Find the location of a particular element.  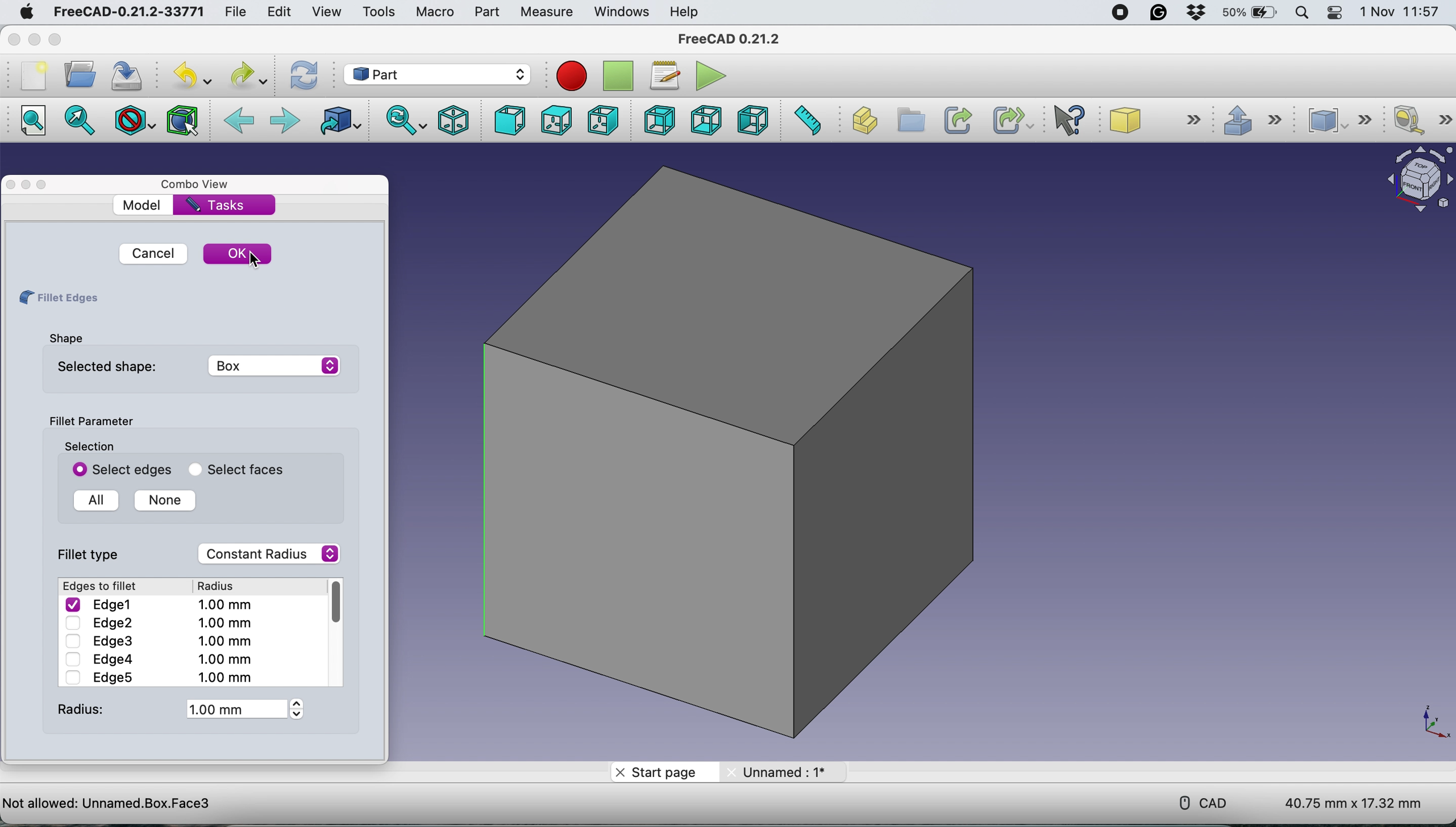

None is located at coordinates (160, 500).